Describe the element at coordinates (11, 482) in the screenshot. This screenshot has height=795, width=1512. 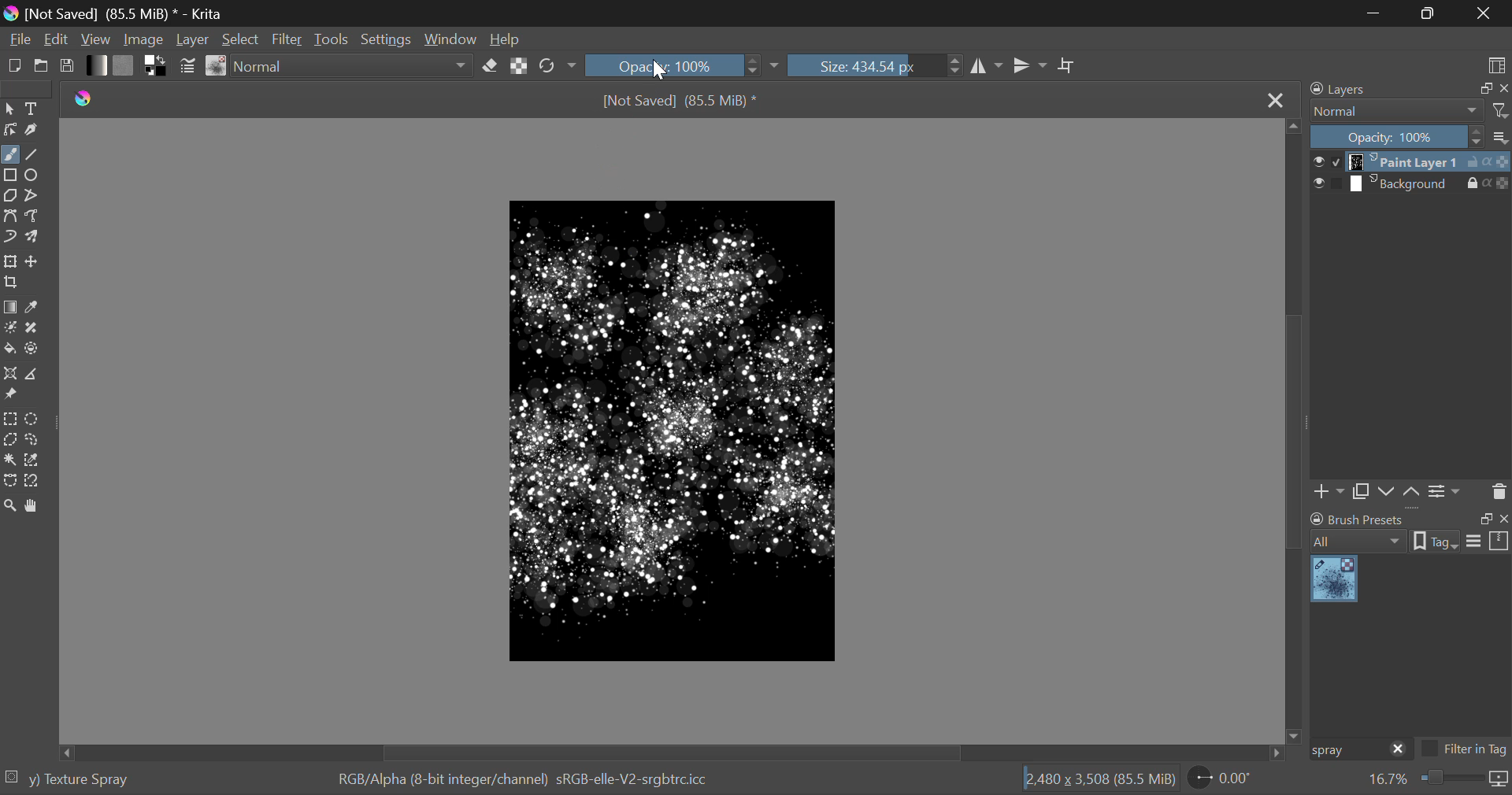
I see `Bezier Curve Selection` at that location.